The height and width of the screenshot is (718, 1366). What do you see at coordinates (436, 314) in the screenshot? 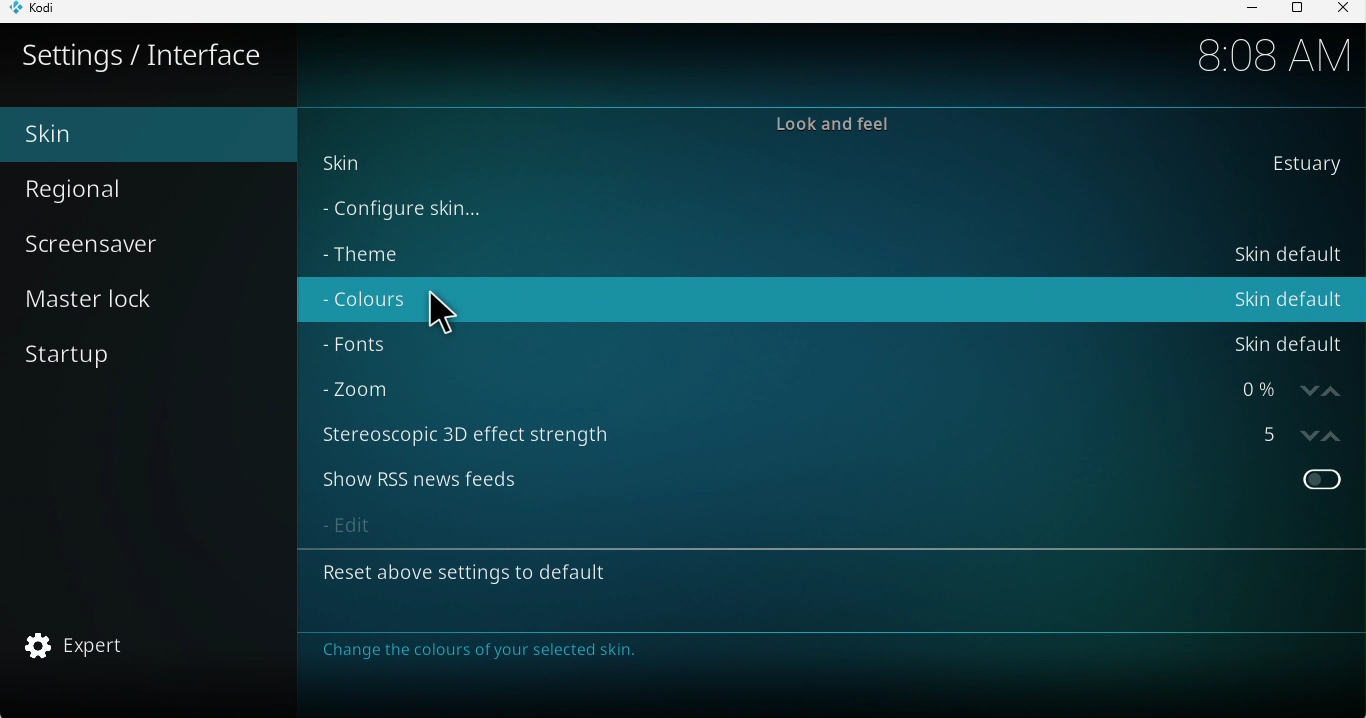
I see `cursor` at bounding box center [436, 314].